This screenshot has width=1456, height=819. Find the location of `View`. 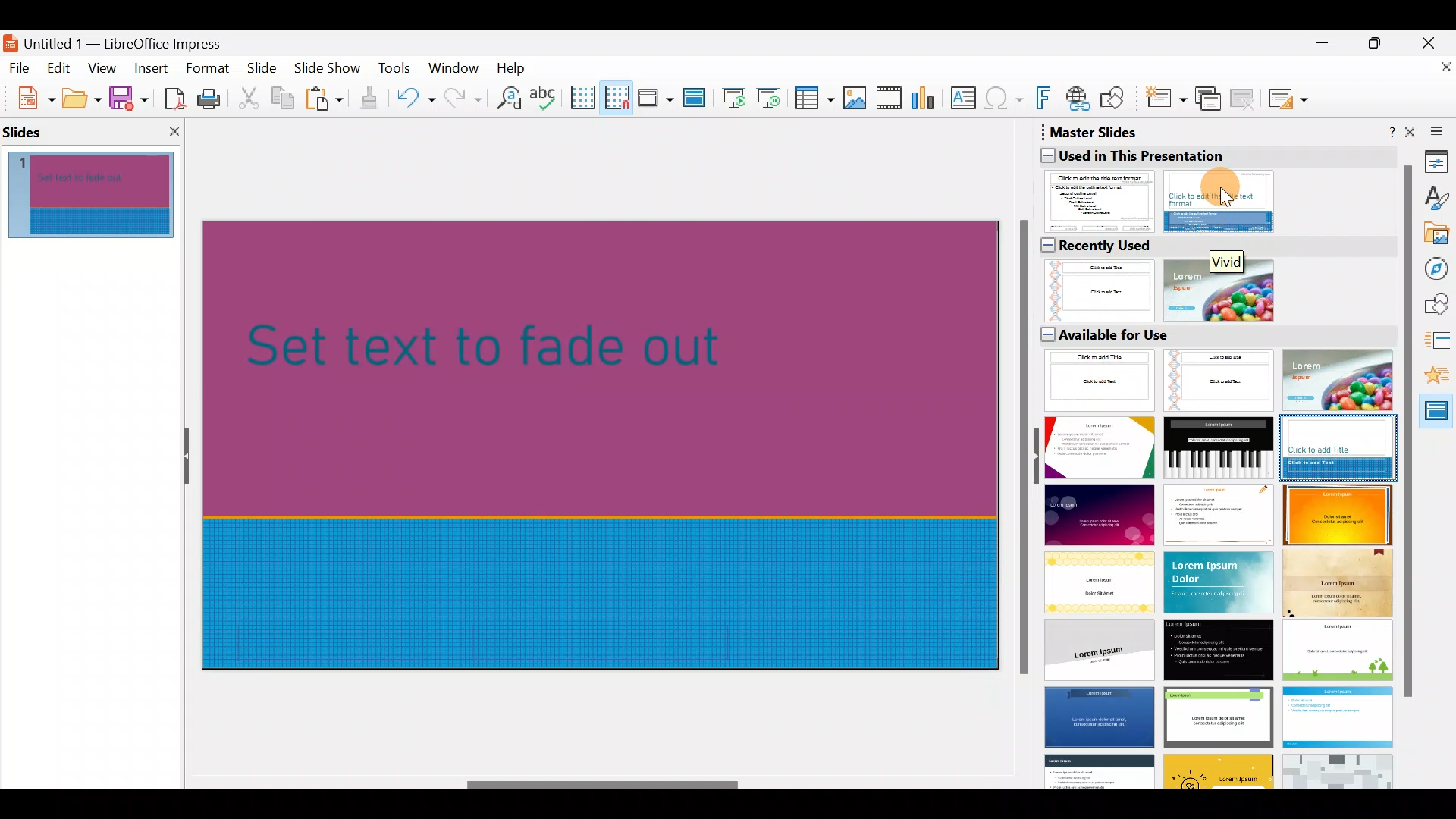

View is located at coordinates (103, 67).